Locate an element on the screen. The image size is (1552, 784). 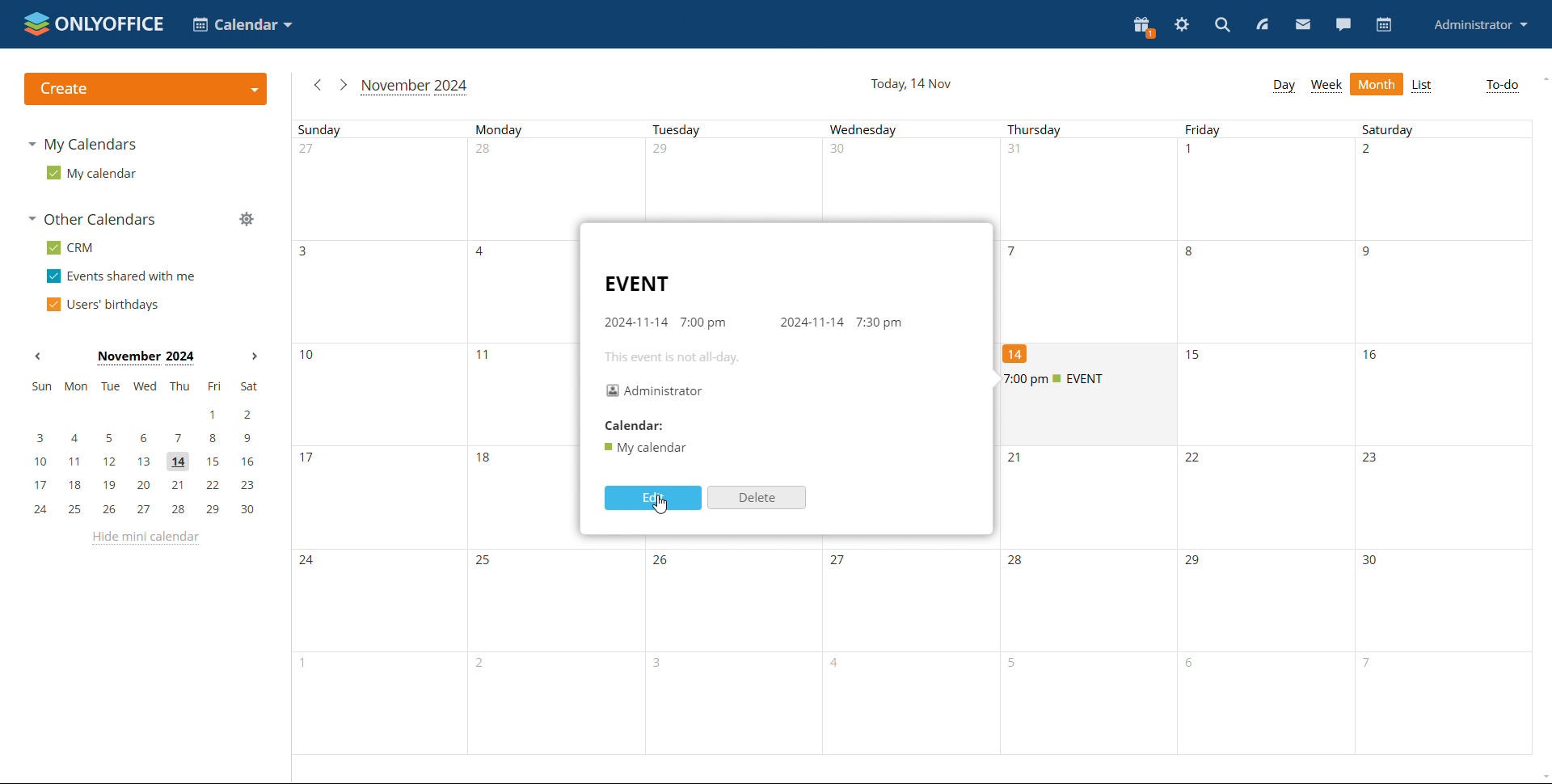
number is located at coordinates (314, 152).